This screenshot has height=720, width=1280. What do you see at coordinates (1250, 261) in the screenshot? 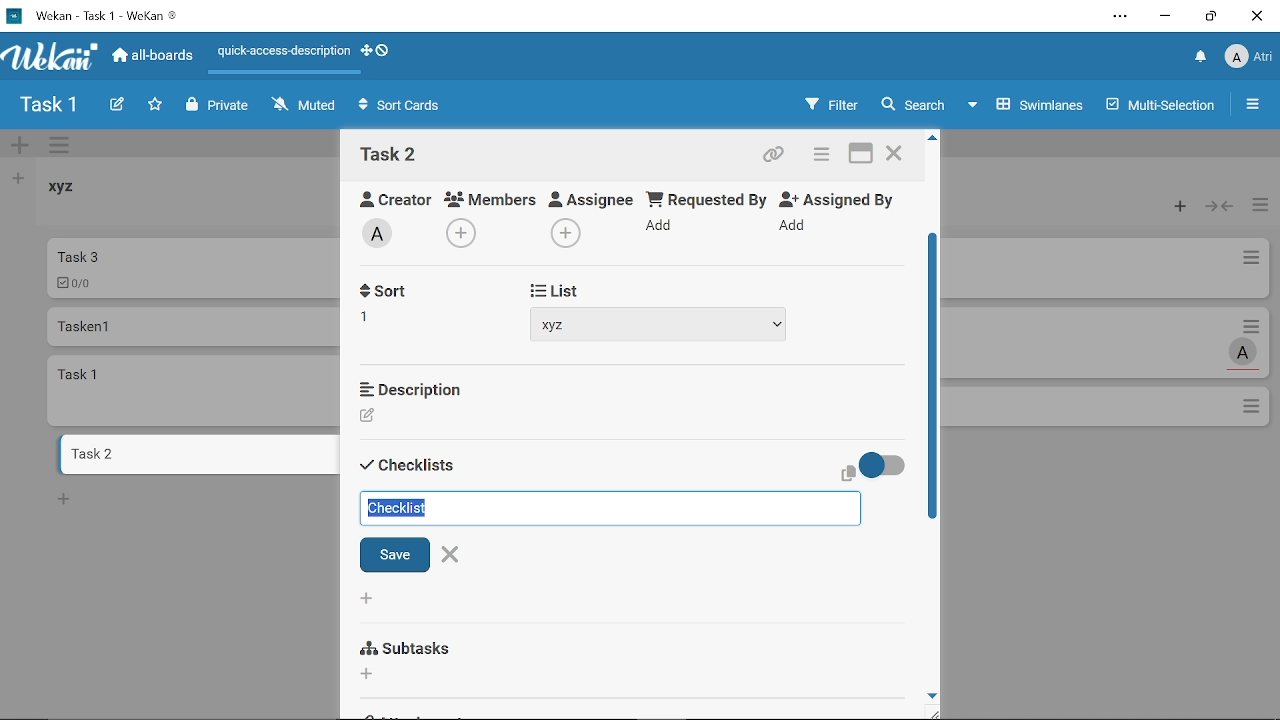
I see `Card actions` at bounding box center [1250, 261].